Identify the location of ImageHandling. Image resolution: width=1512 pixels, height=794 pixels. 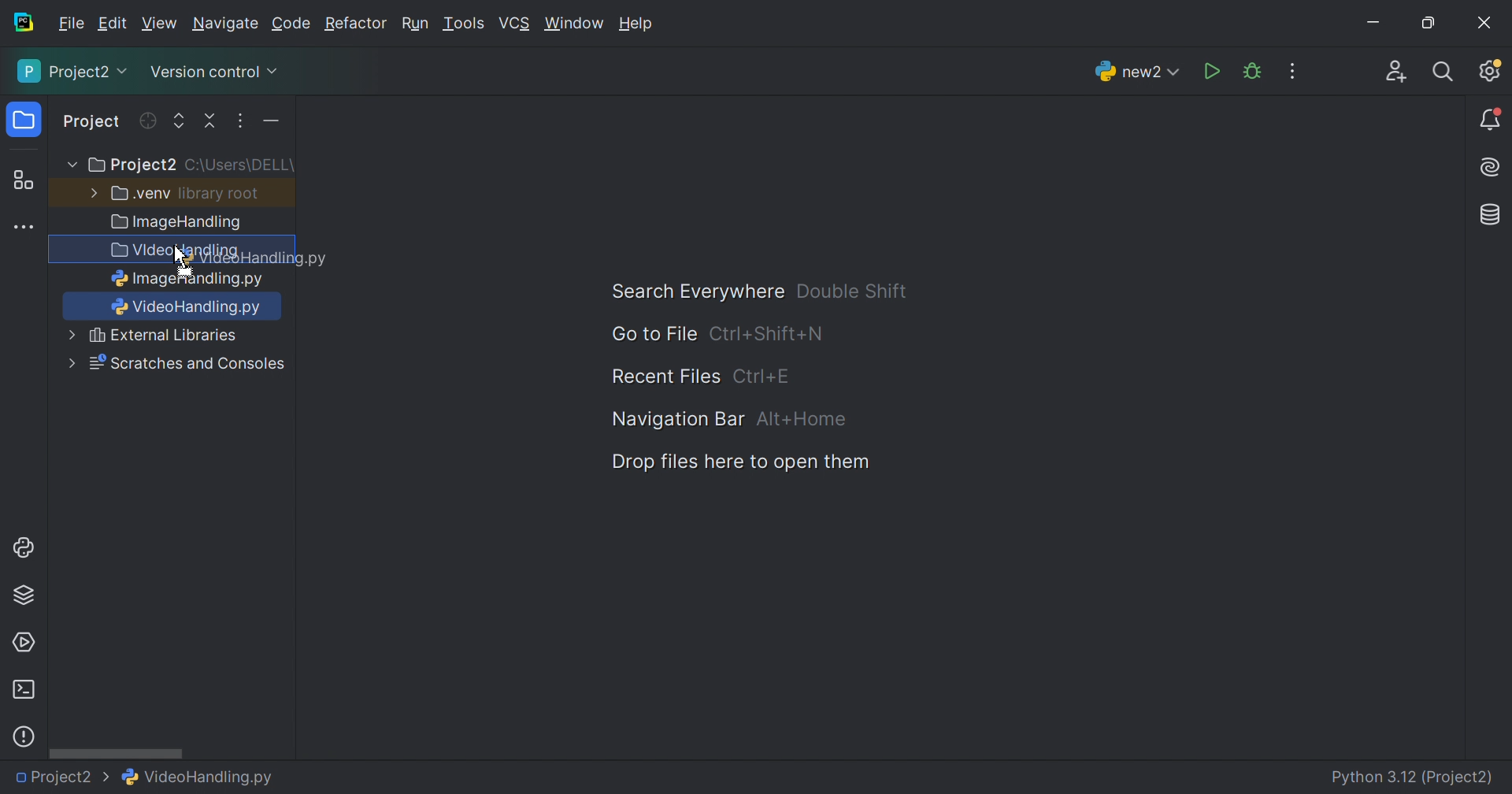
(188, 279).